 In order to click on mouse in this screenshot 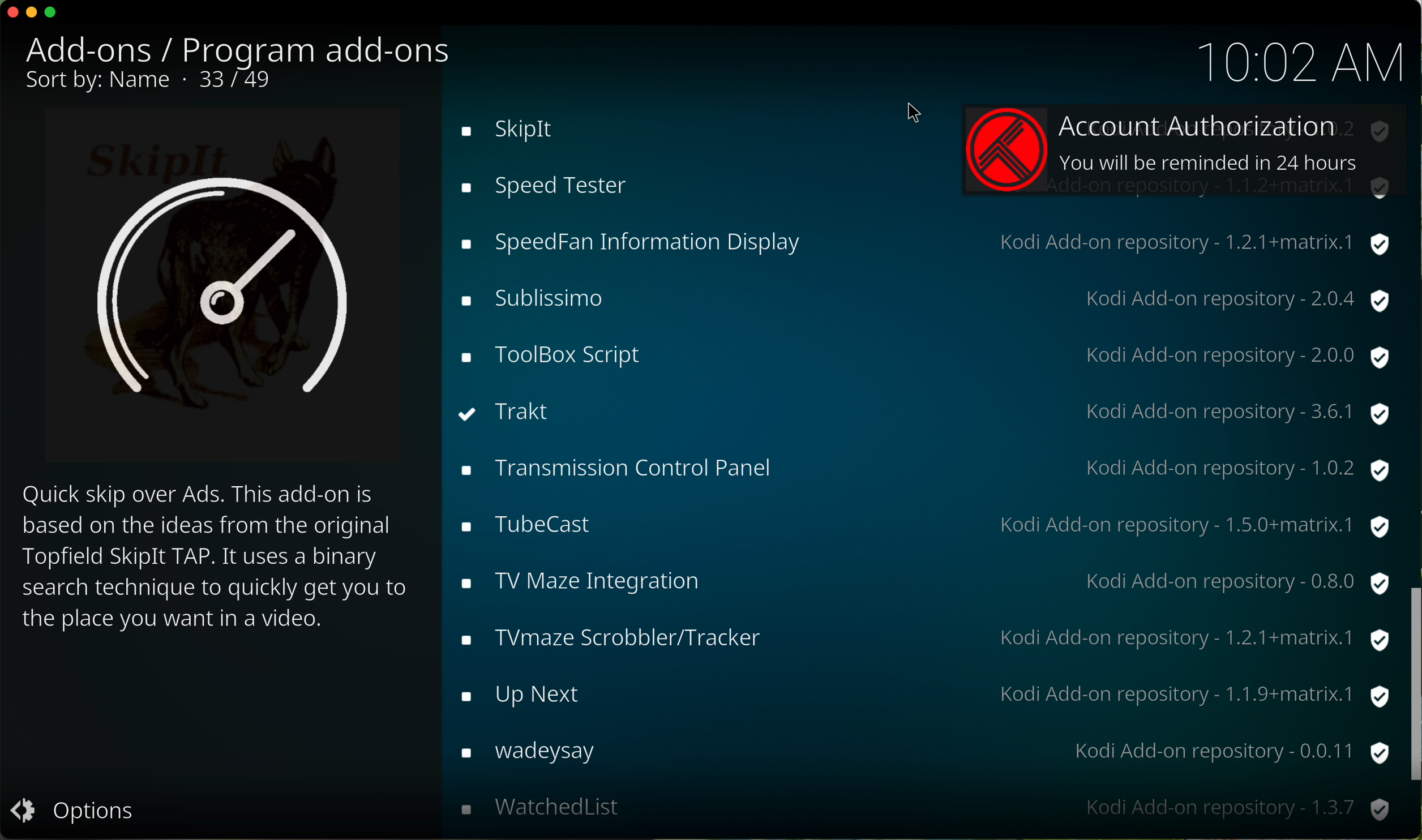, I will do `click(912, 116)`.